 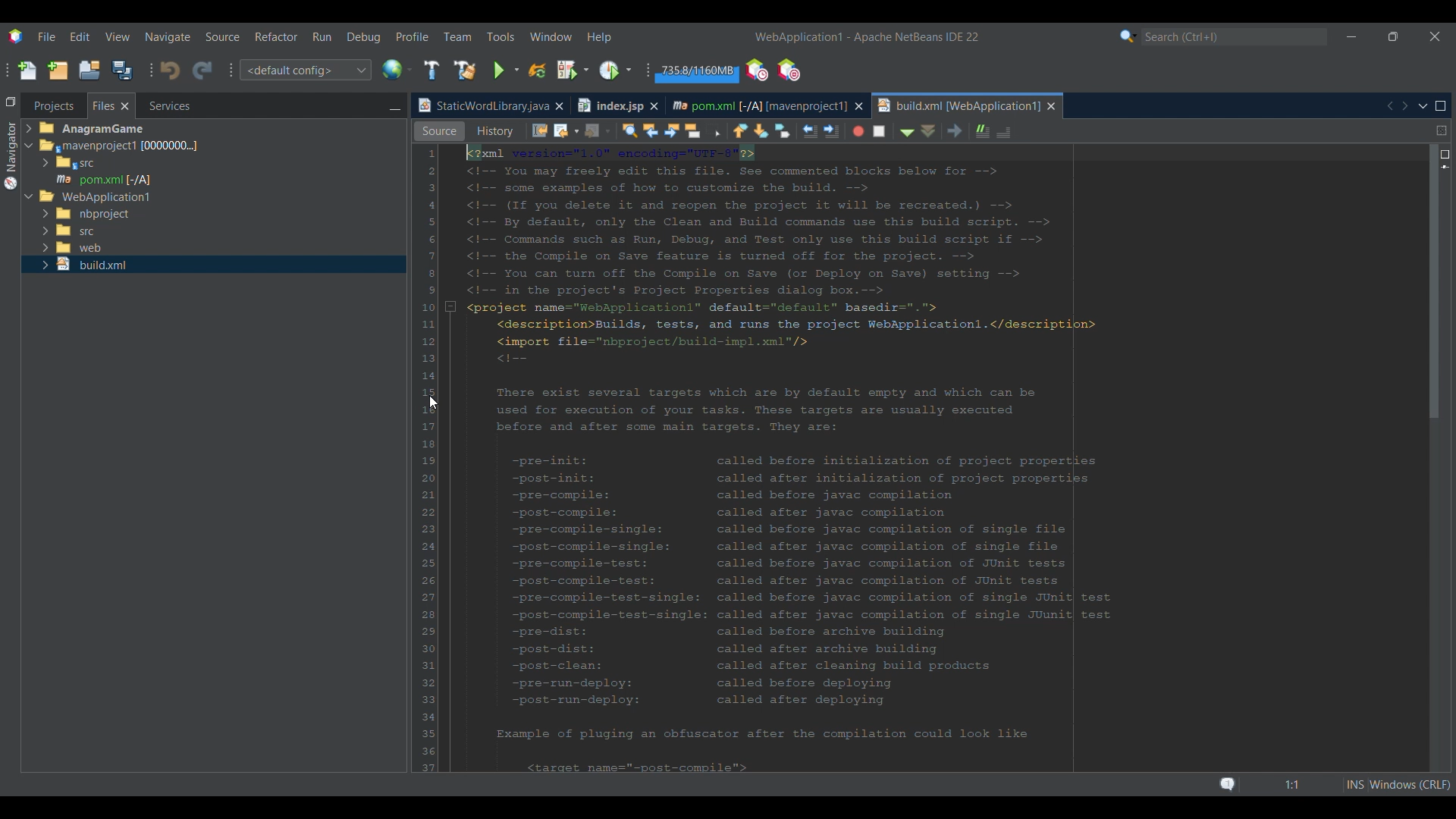 I want to click on Convert to release option for strict compatibility checks, so click(x=431, y=317).